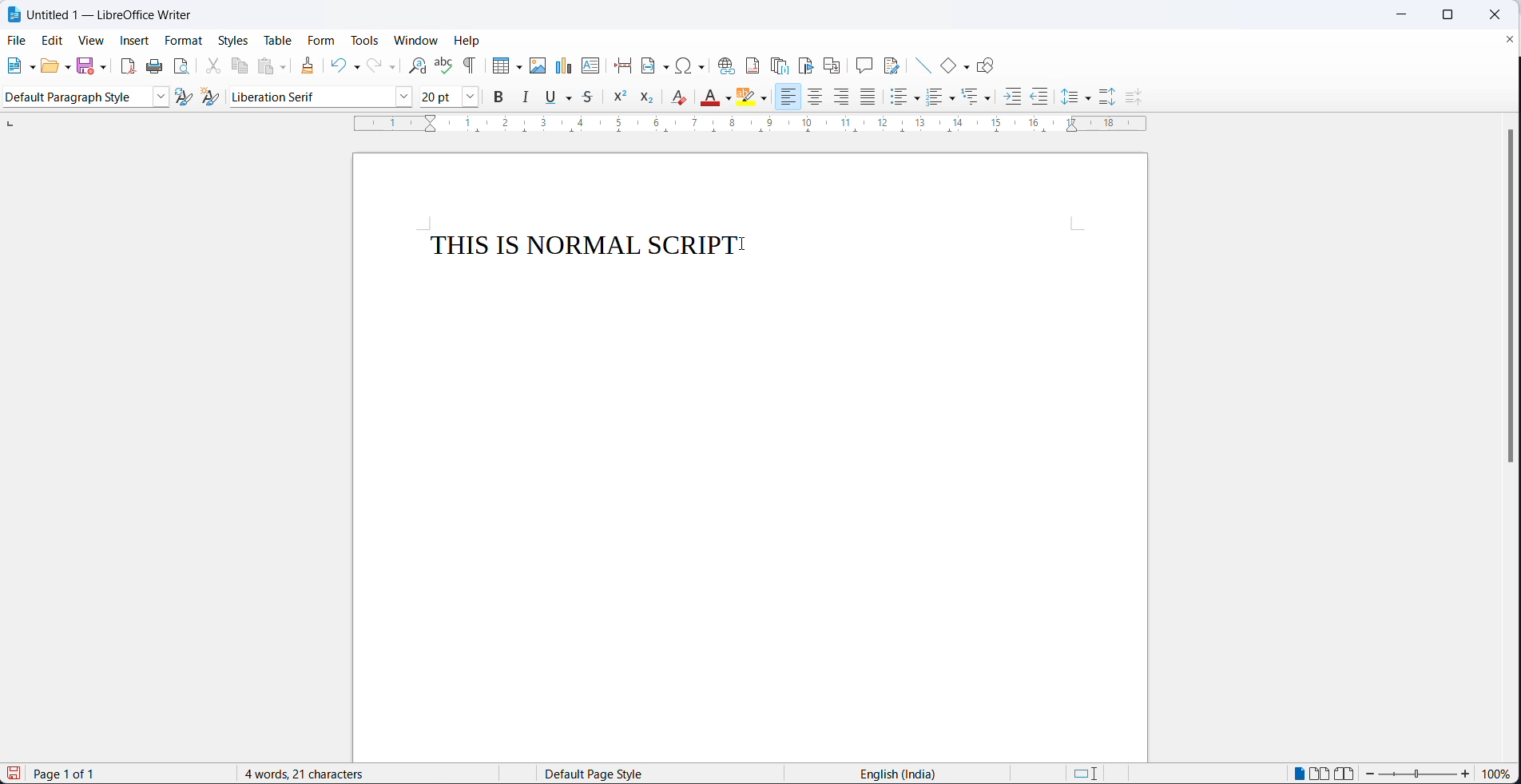 This screenshot has height=784, width=1521. What do you see at coordinates (1041, 97) in the screenshot?
I see `decrease indent` at bounding box center [1041, 97].